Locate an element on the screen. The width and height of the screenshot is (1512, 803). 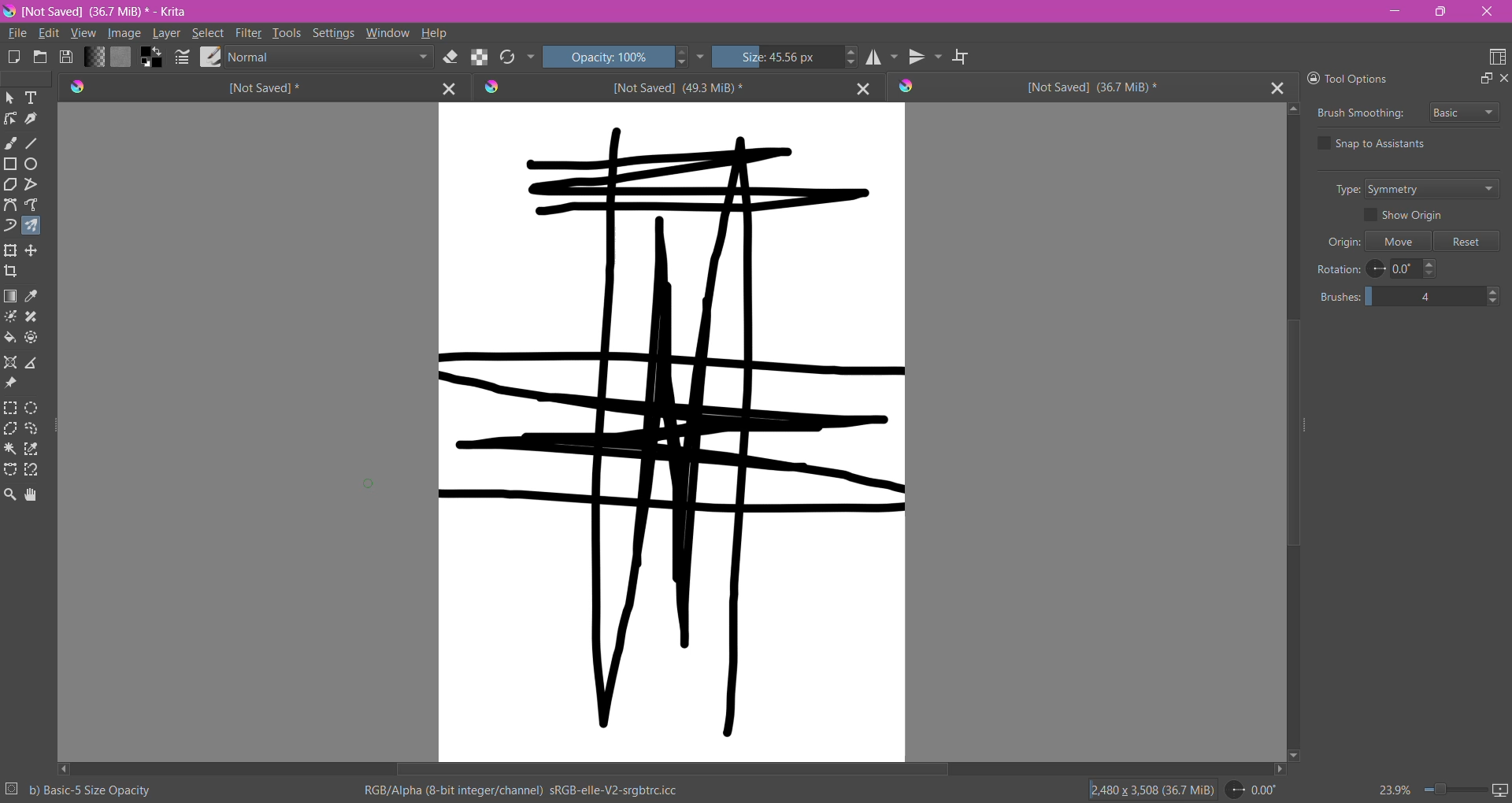
Selected Brush Preset is located at coordinates (91, 790).